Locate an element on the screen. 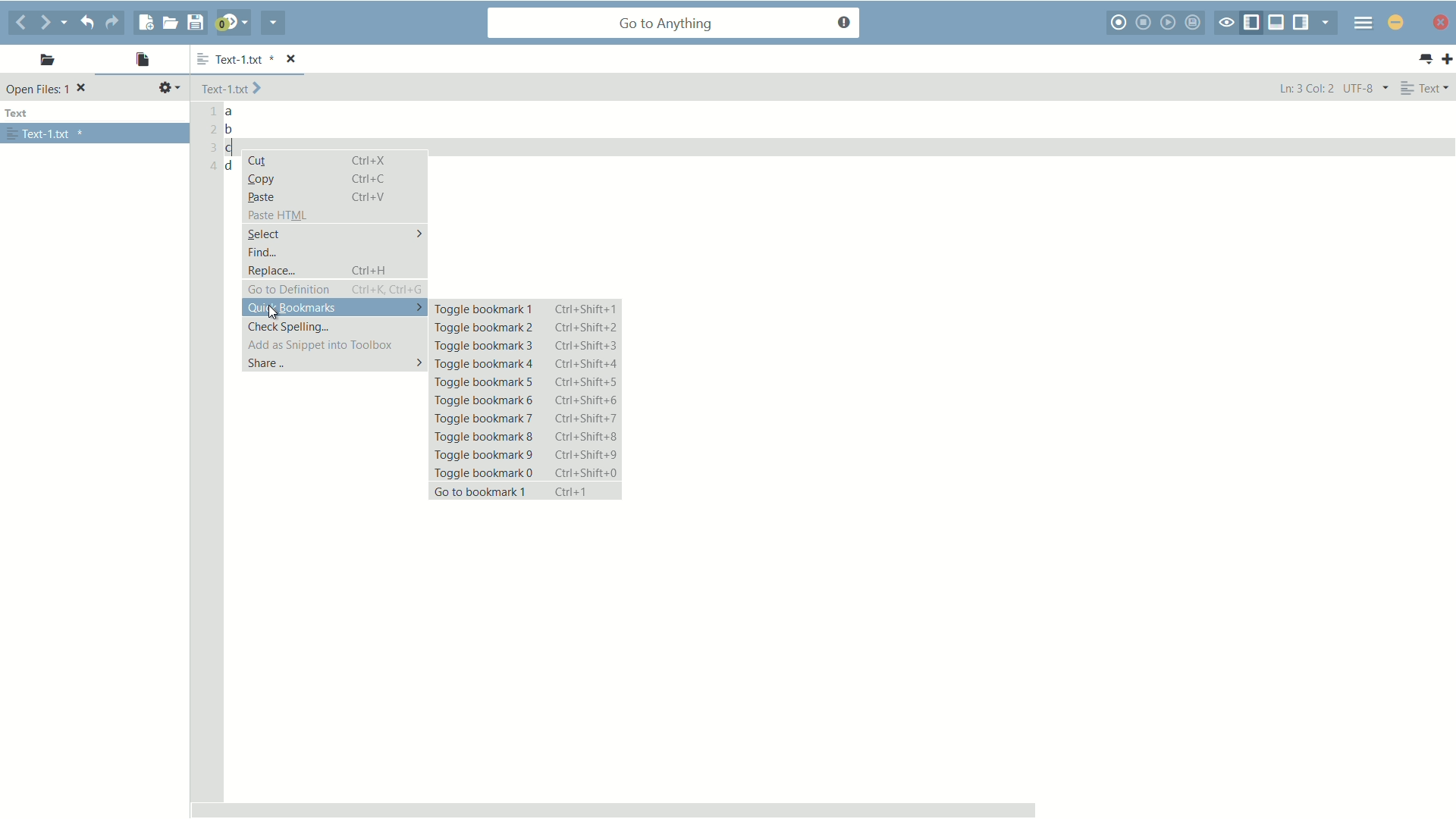 The height and width of the screenshot is (819, 1456). minimize is located at coordinates (1441, 24).